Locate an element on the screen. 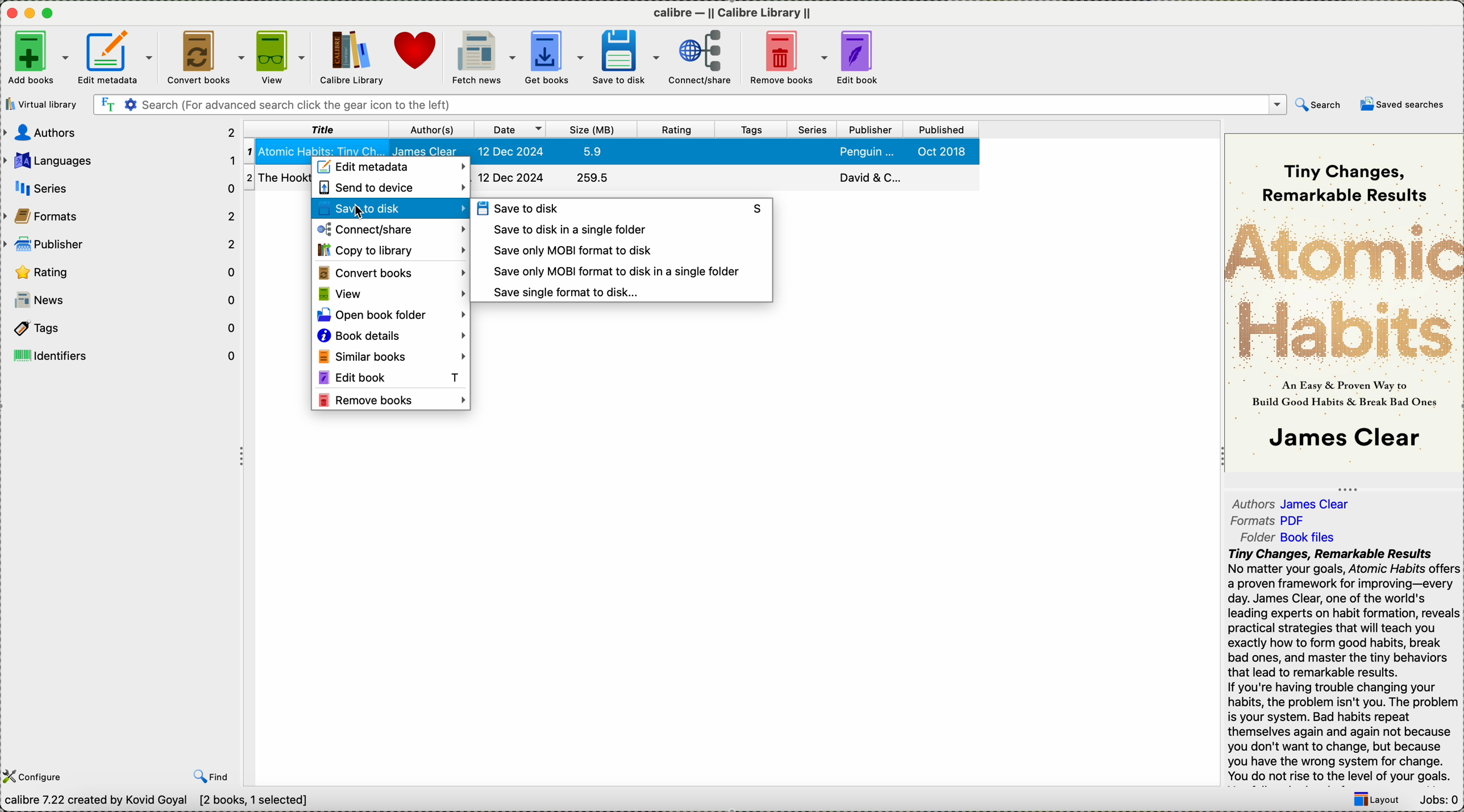 The width and height of the screenshot is (1464, 812). published is located at coordinates (942, 130).